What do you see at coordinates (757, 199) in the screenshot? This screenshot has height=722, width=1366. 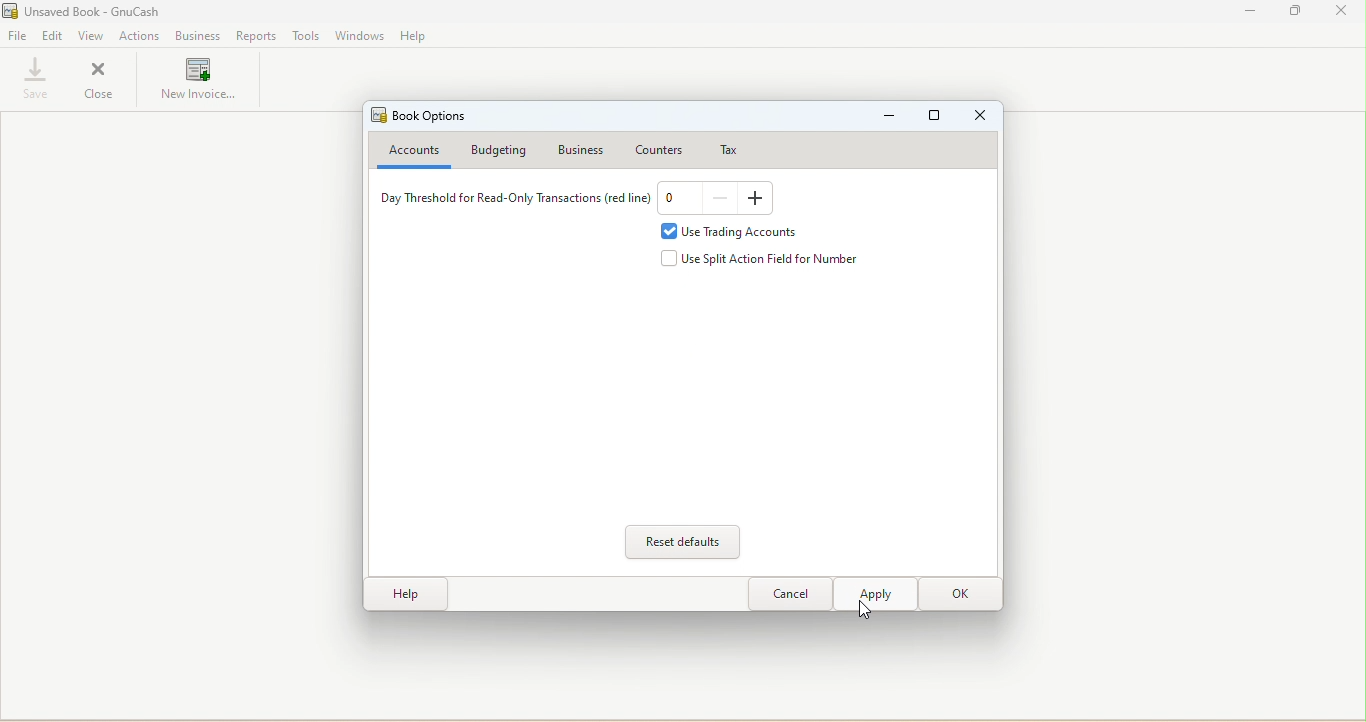 I see `Increase` at bounding box center [757, 199].